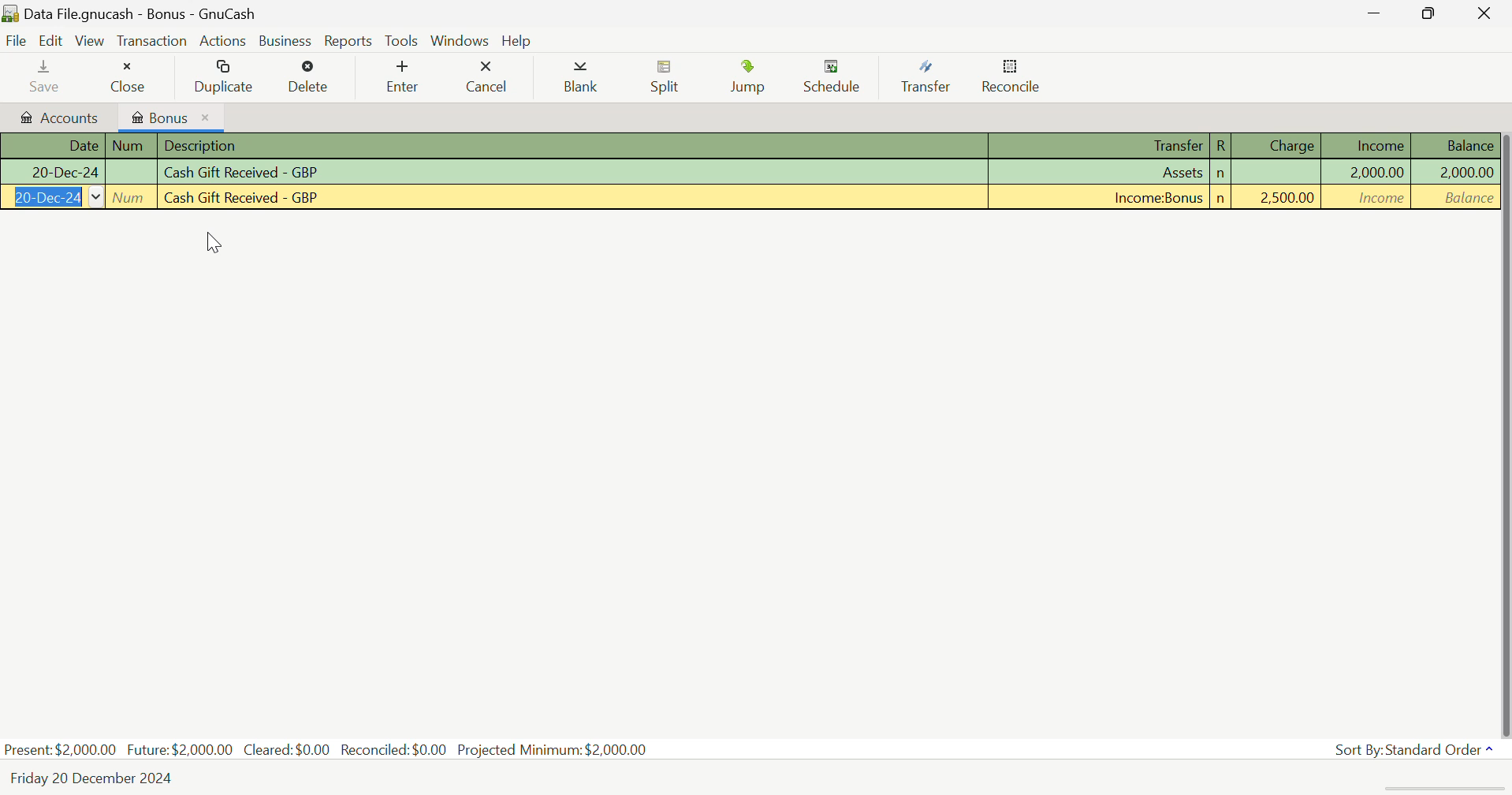 This screenshot has height=795, width=1512. Describe the element at coordinates (99, 778) in the screenshot. I see `Friday 20 December 2024` at that location.